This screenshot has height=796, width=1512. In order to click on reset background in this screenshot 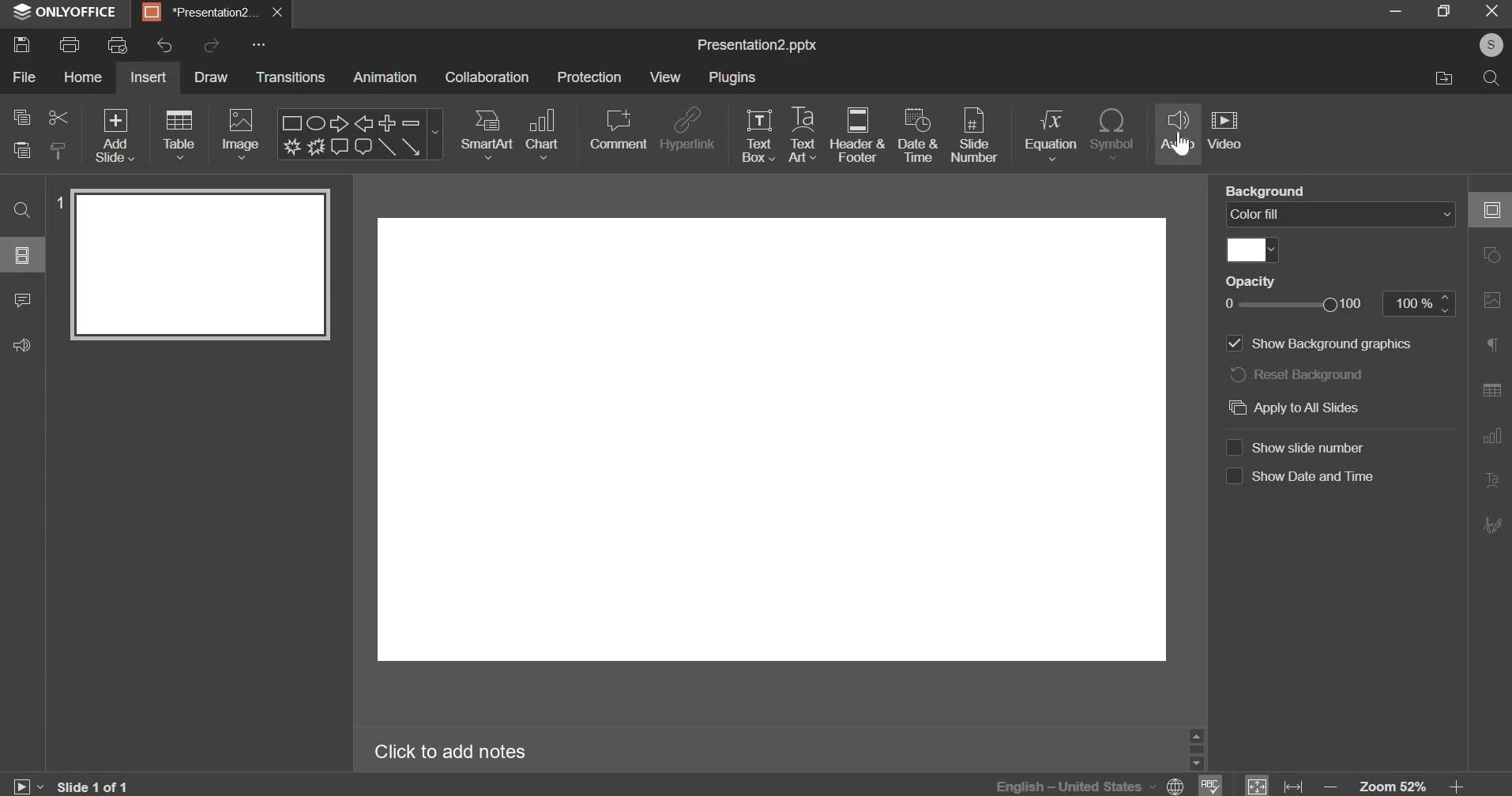, I will do `click(1301, 376)`.